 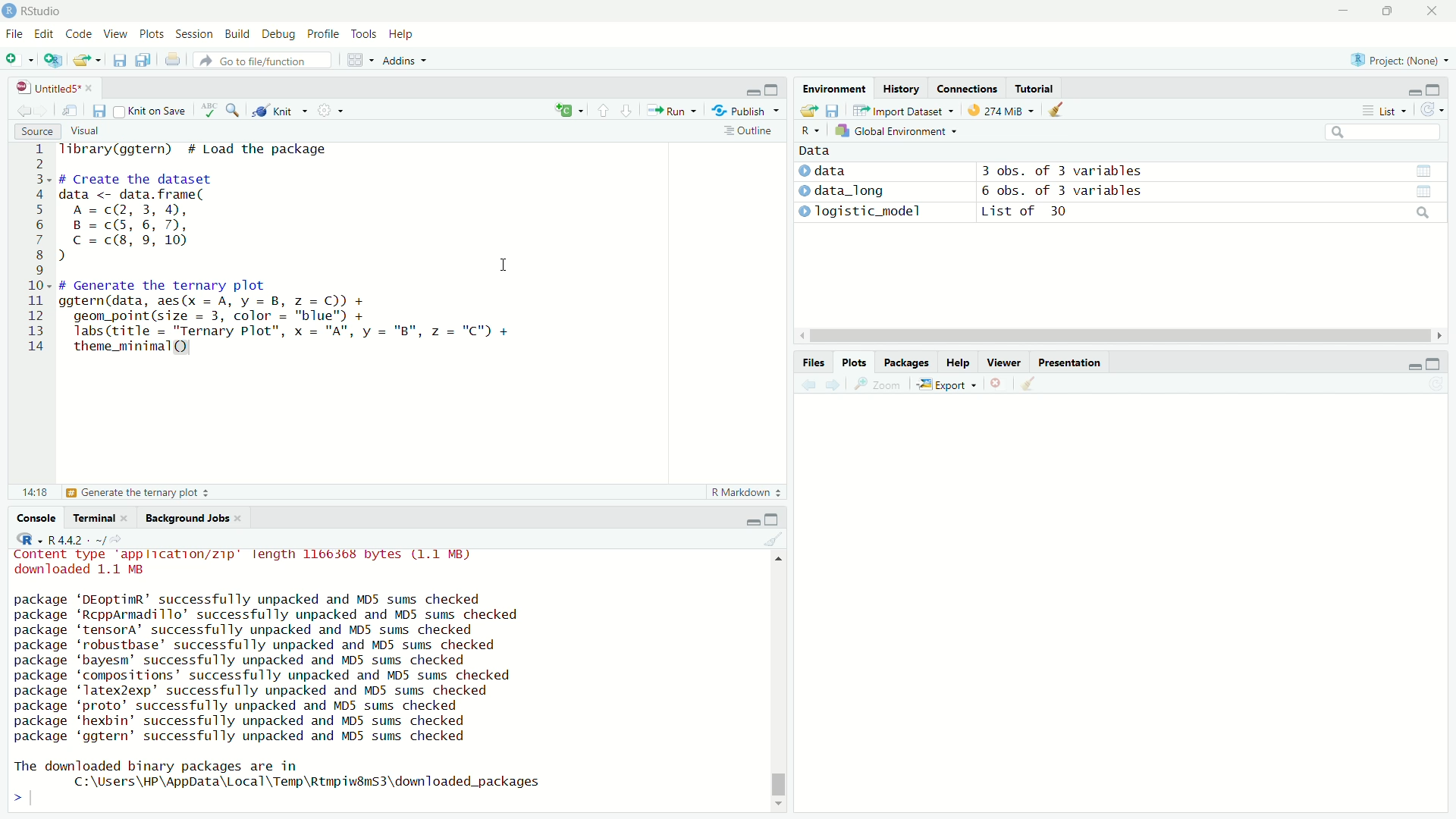 What do you see at coordinates (16, 33) in the screenshot?
I see `File` at bounding box center [16, 33].